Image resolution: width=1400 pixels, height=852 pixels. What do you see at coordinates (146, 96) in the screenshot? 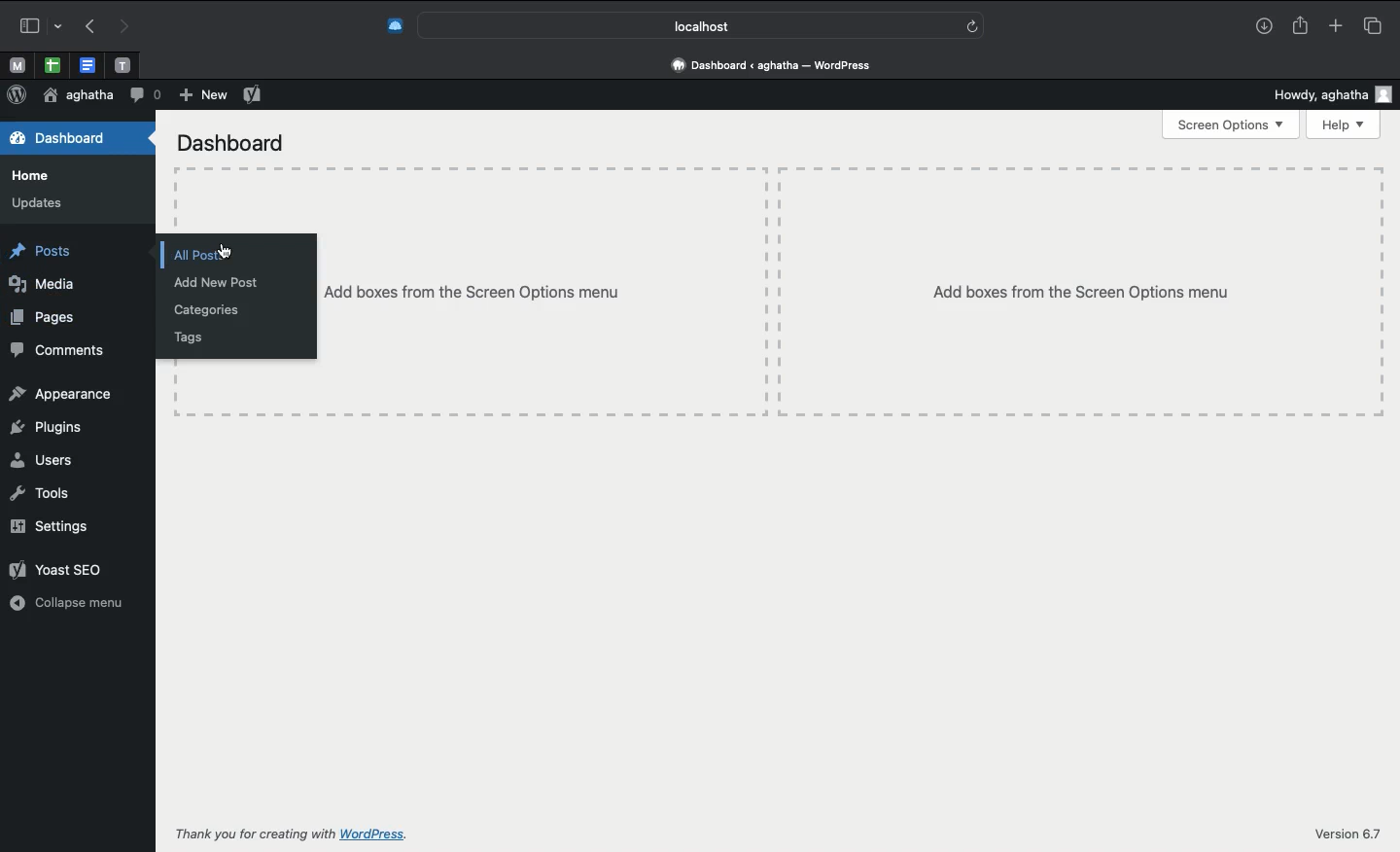
I see `Comment` at bounding box center [146, 96].